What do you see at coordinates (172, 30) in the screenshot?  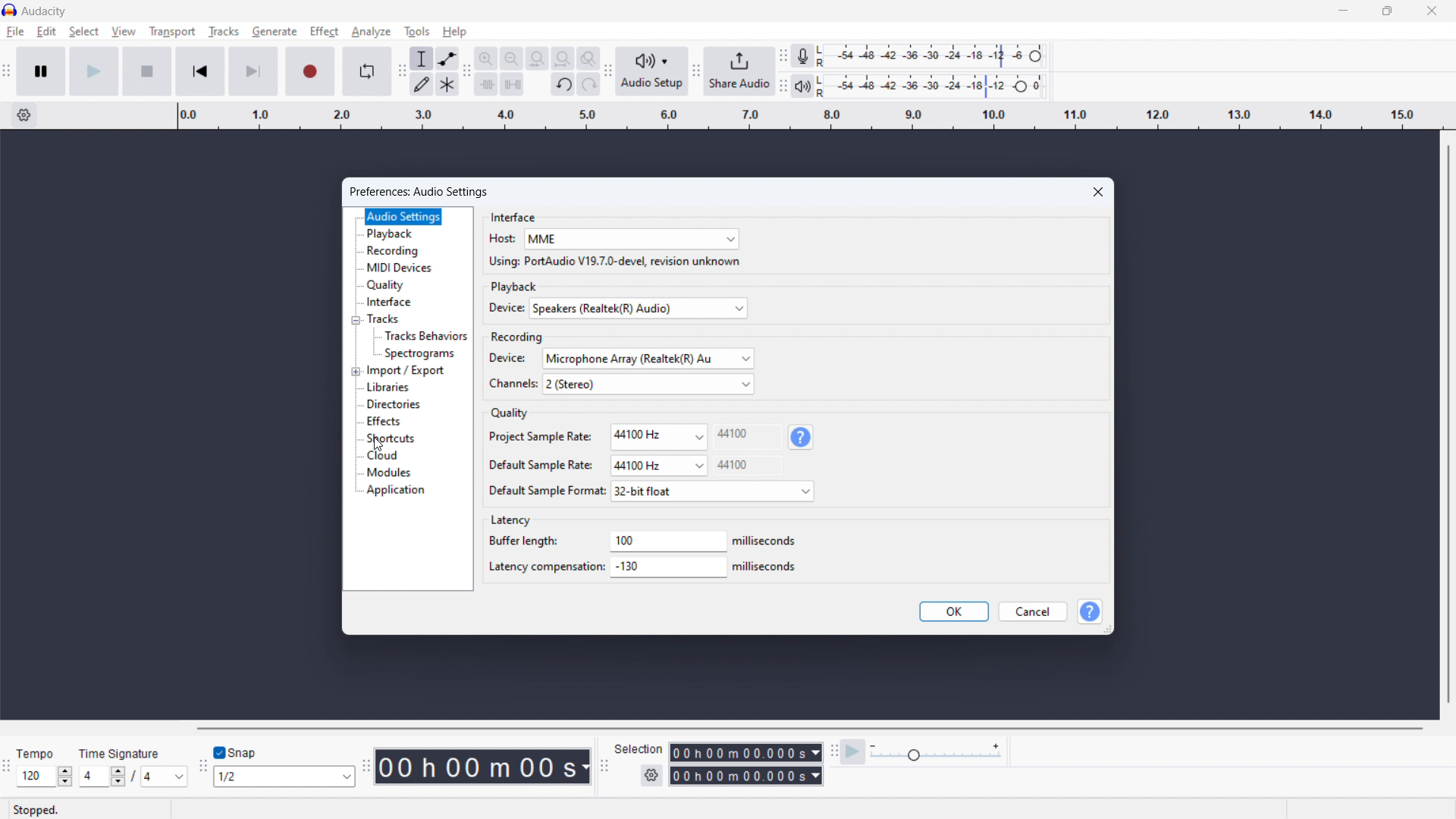 I see `transport` at bounding box center [172, 30].